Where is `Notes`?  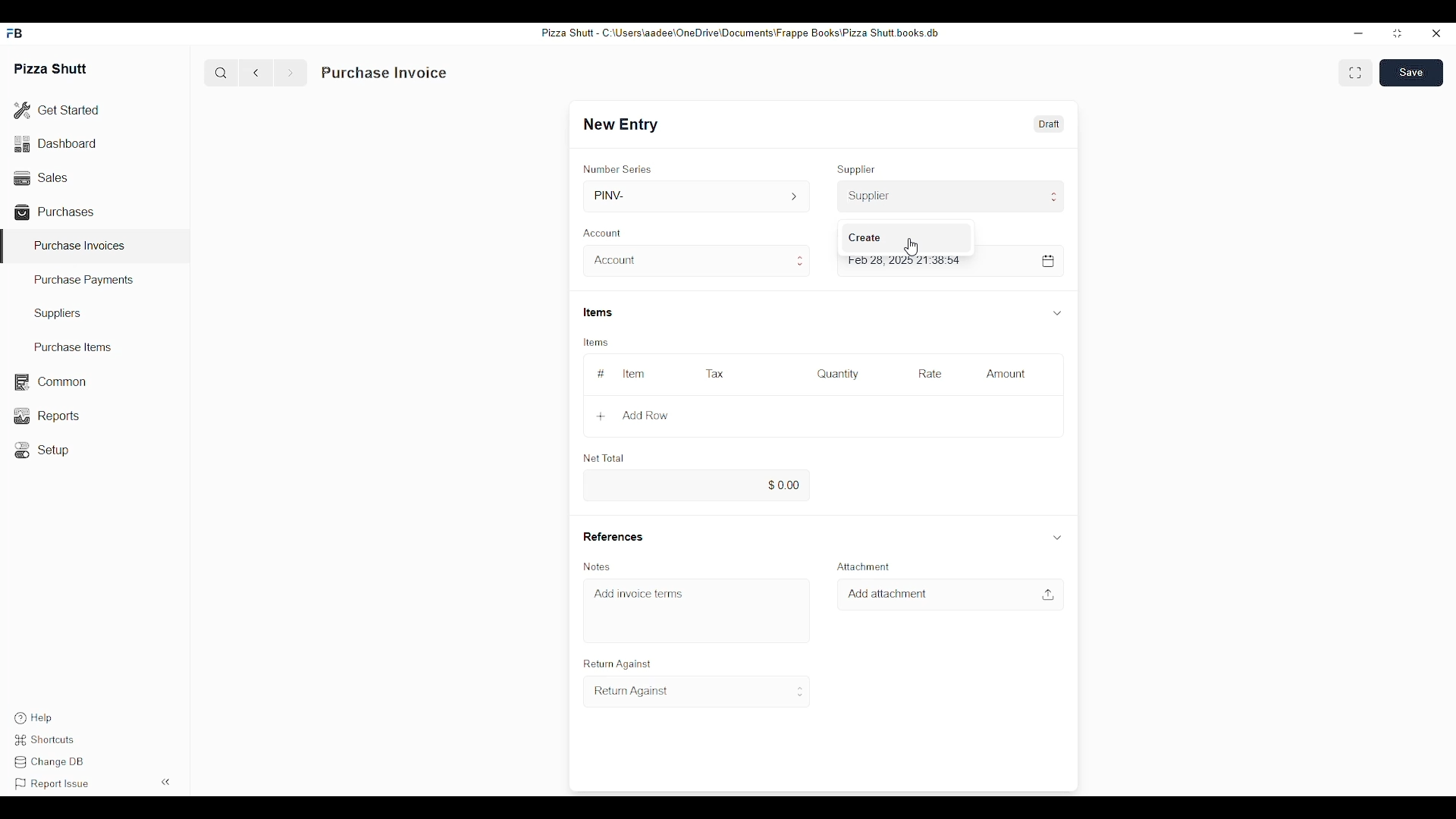
Notes is located at coordinates (597, 566).